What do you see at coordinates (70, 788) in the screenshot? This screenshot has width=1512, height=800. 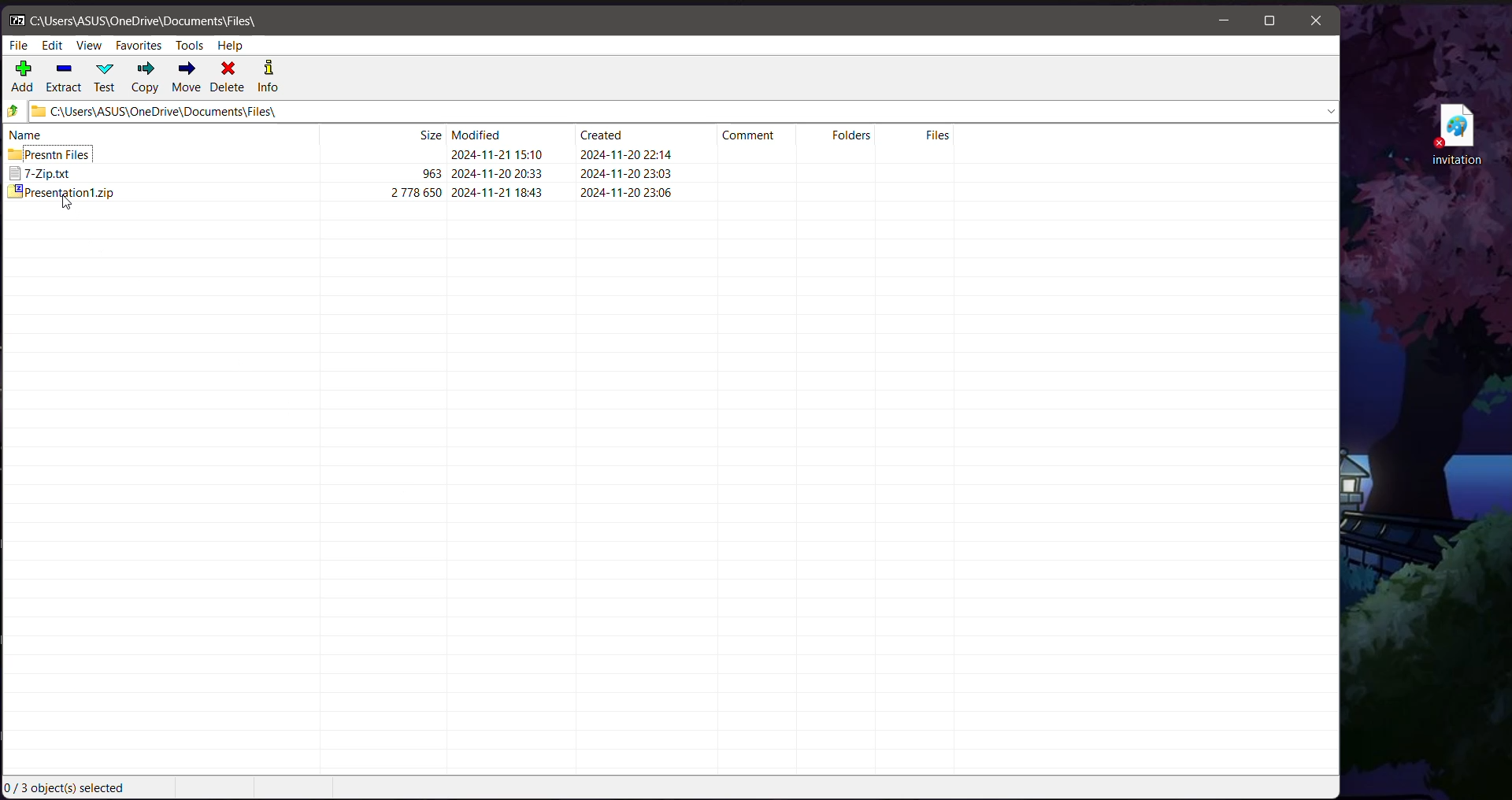 I see `Current Selection` at bounding box center [70, 788].